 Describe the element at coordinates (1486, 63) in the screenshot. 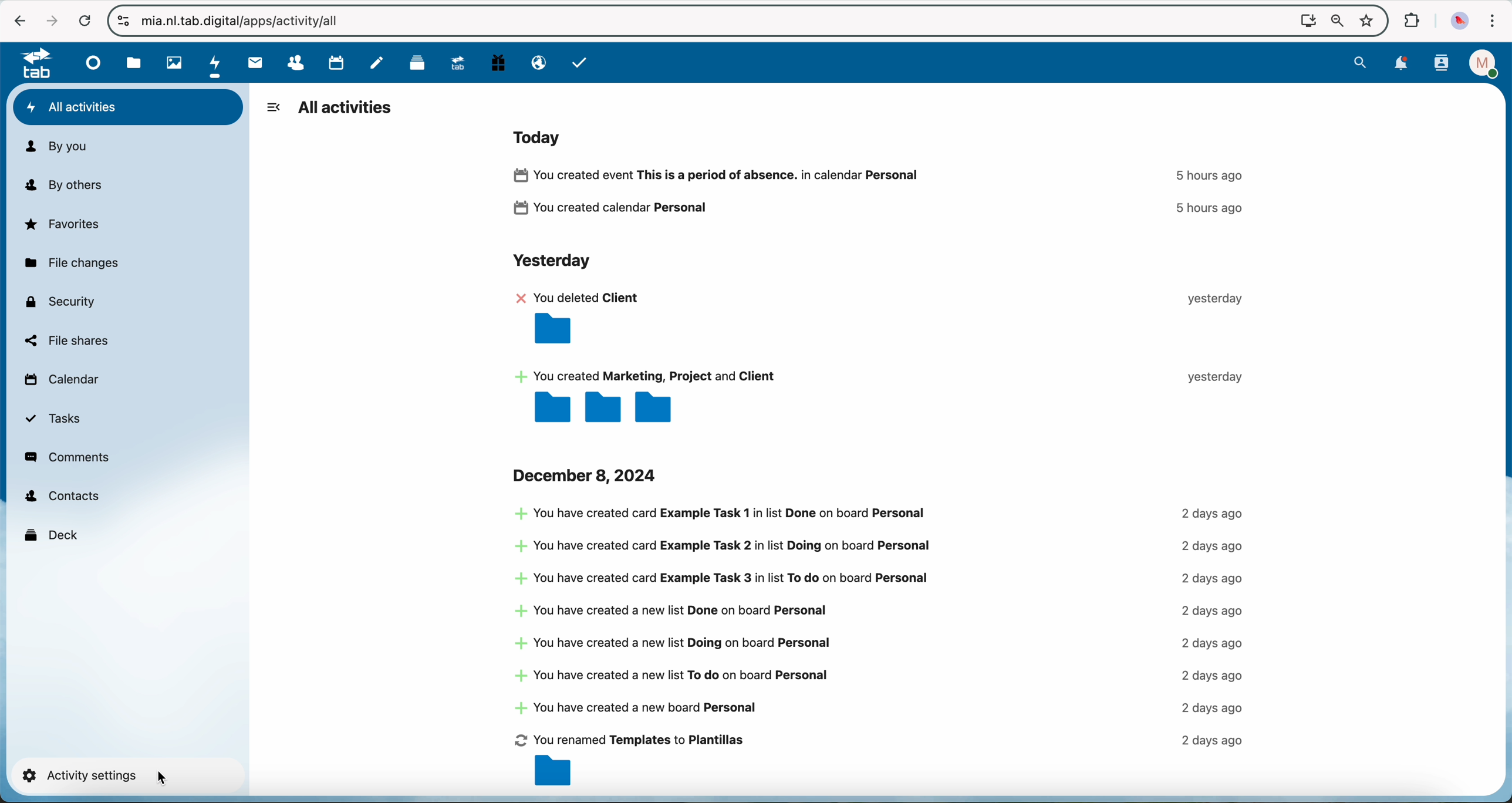

I see `profile` at that location.